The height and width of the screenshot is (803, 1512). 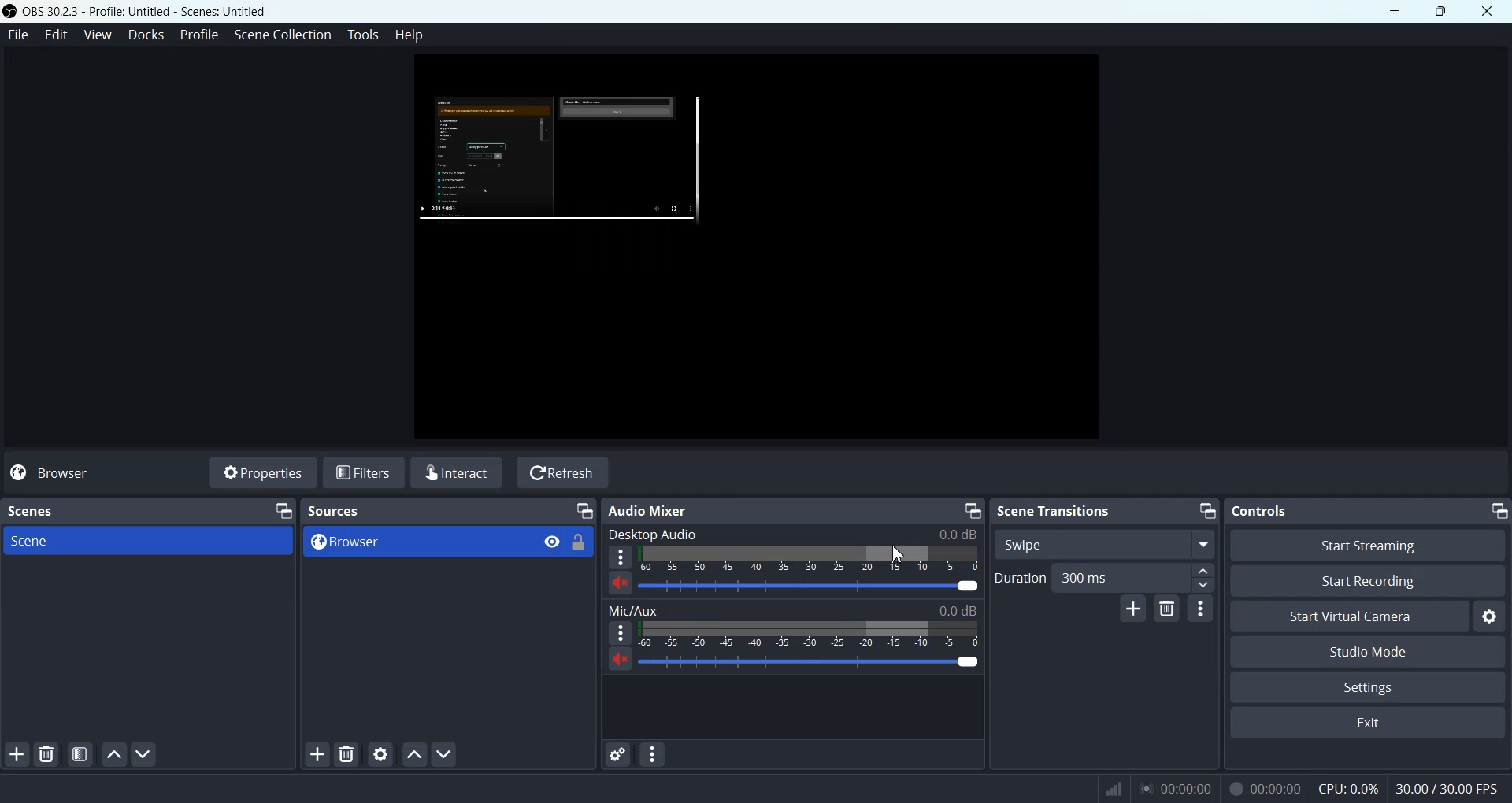 What do you see at coordinates (1441, 12) in the screenshot?
I see `Maximize` at bounding box center [1441, 12].